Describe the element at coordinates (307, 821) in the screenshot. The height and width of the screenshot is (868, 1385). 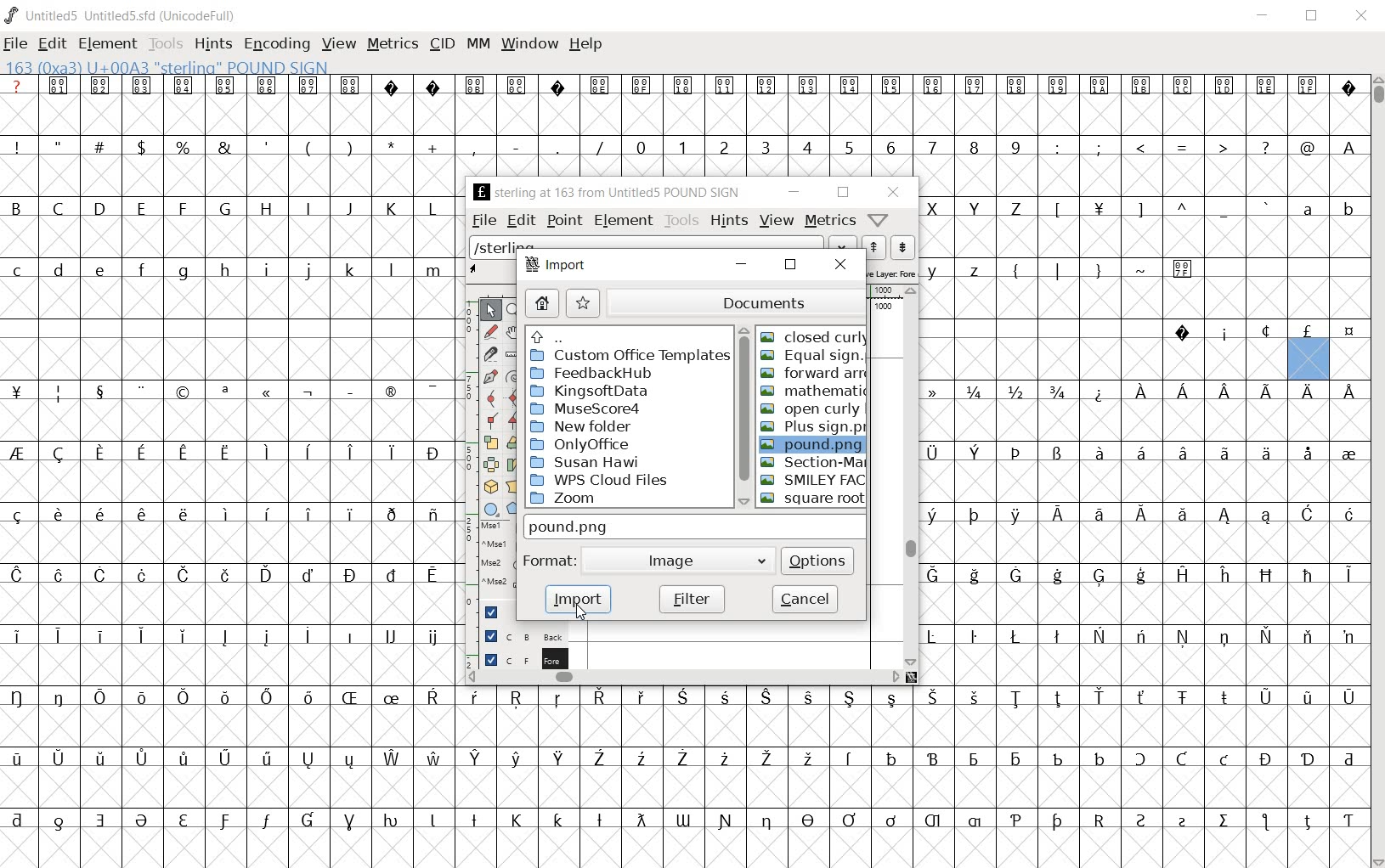
I see `Symbol` at that location.